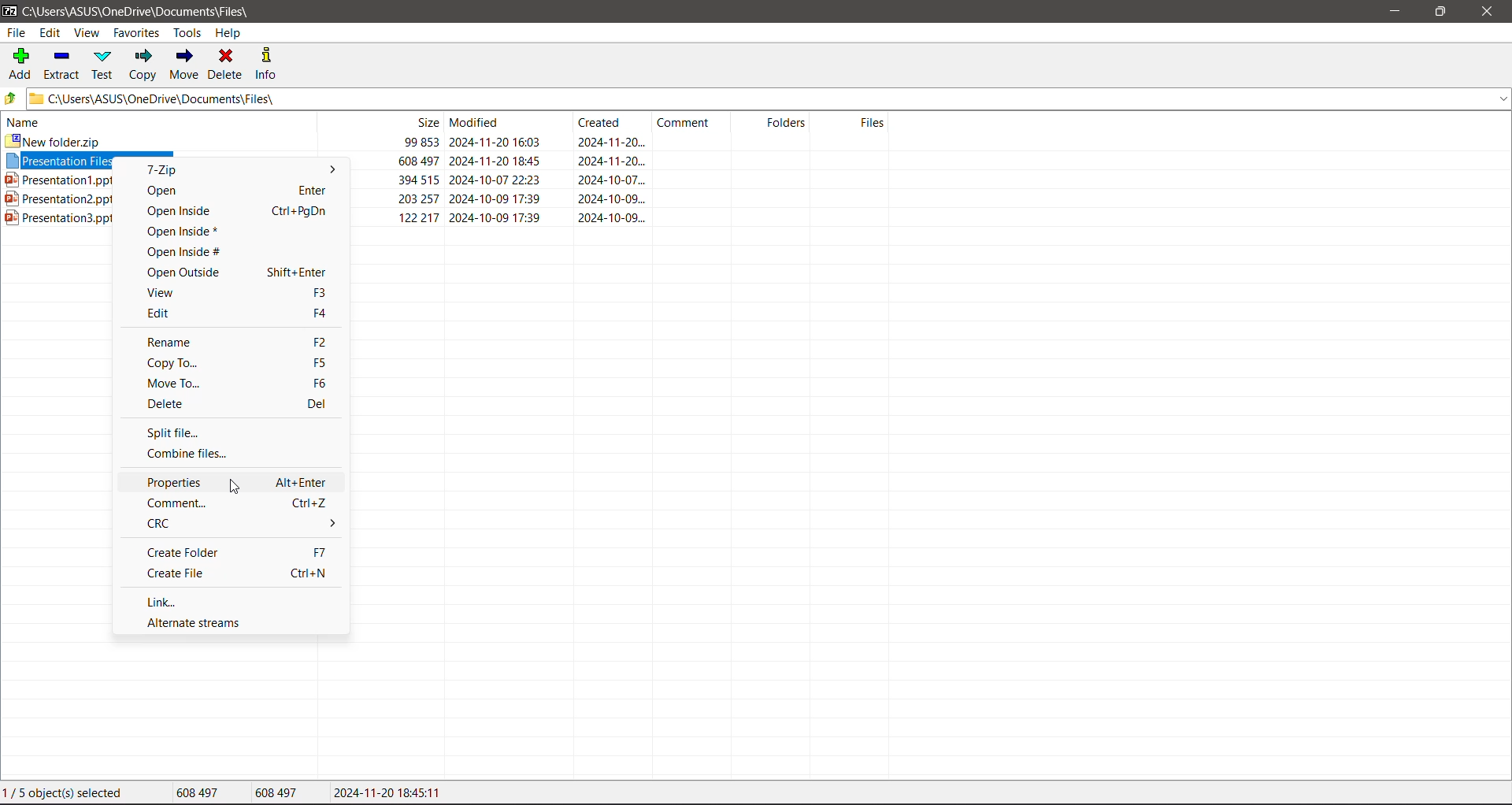 This screenshot has height=805, width=1512. I want to click on Combine files, so click(199, 454).